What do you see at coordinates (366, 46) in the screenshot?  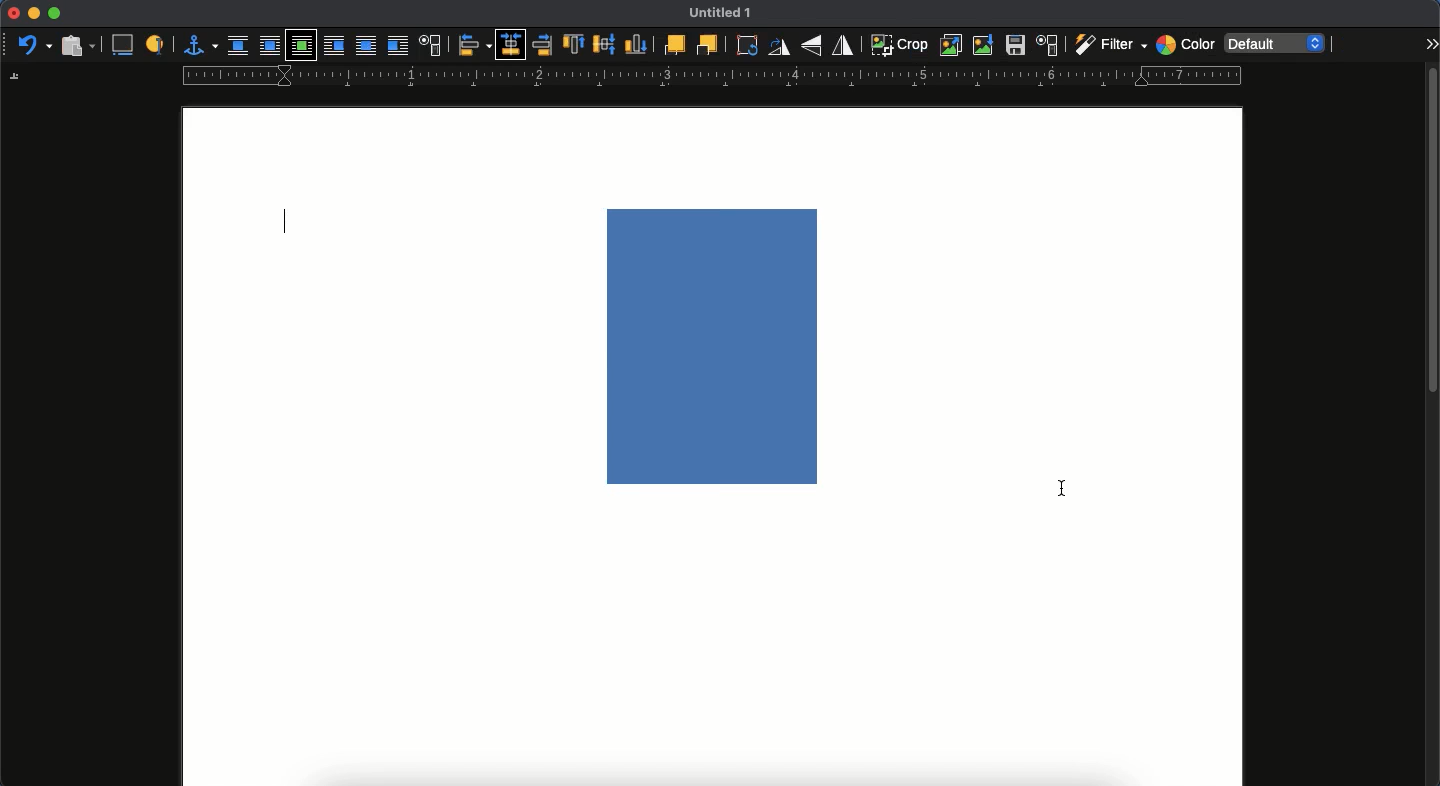 I see `through` at bounding box center [366, 46].